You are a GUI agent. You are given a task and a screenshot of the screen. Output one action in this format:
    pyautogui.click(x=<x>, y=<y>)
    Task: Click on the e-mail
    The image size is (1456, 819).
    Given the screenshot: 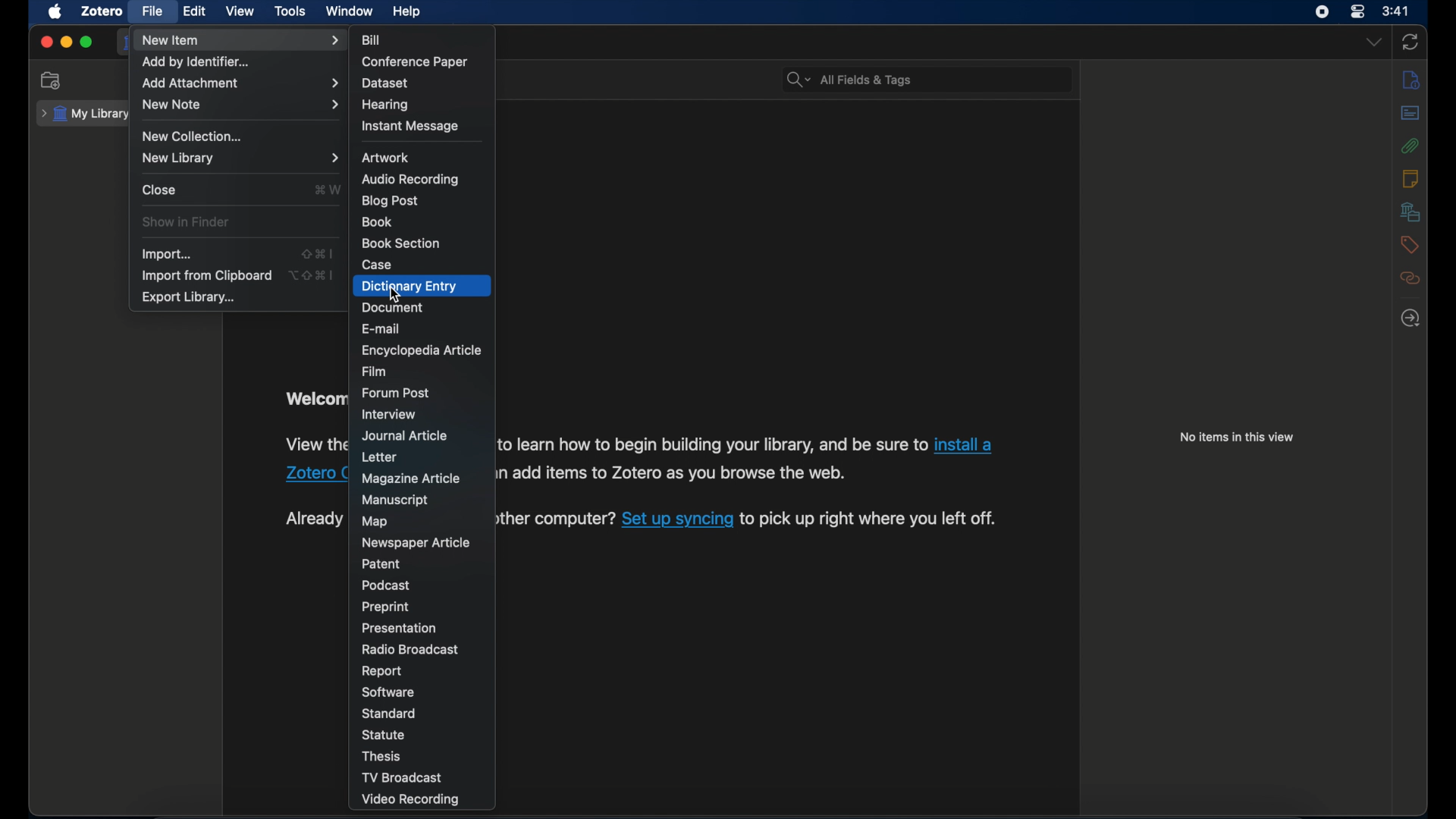 What is the action you would take?
    pyautogui.click(x=381, y=329)
    